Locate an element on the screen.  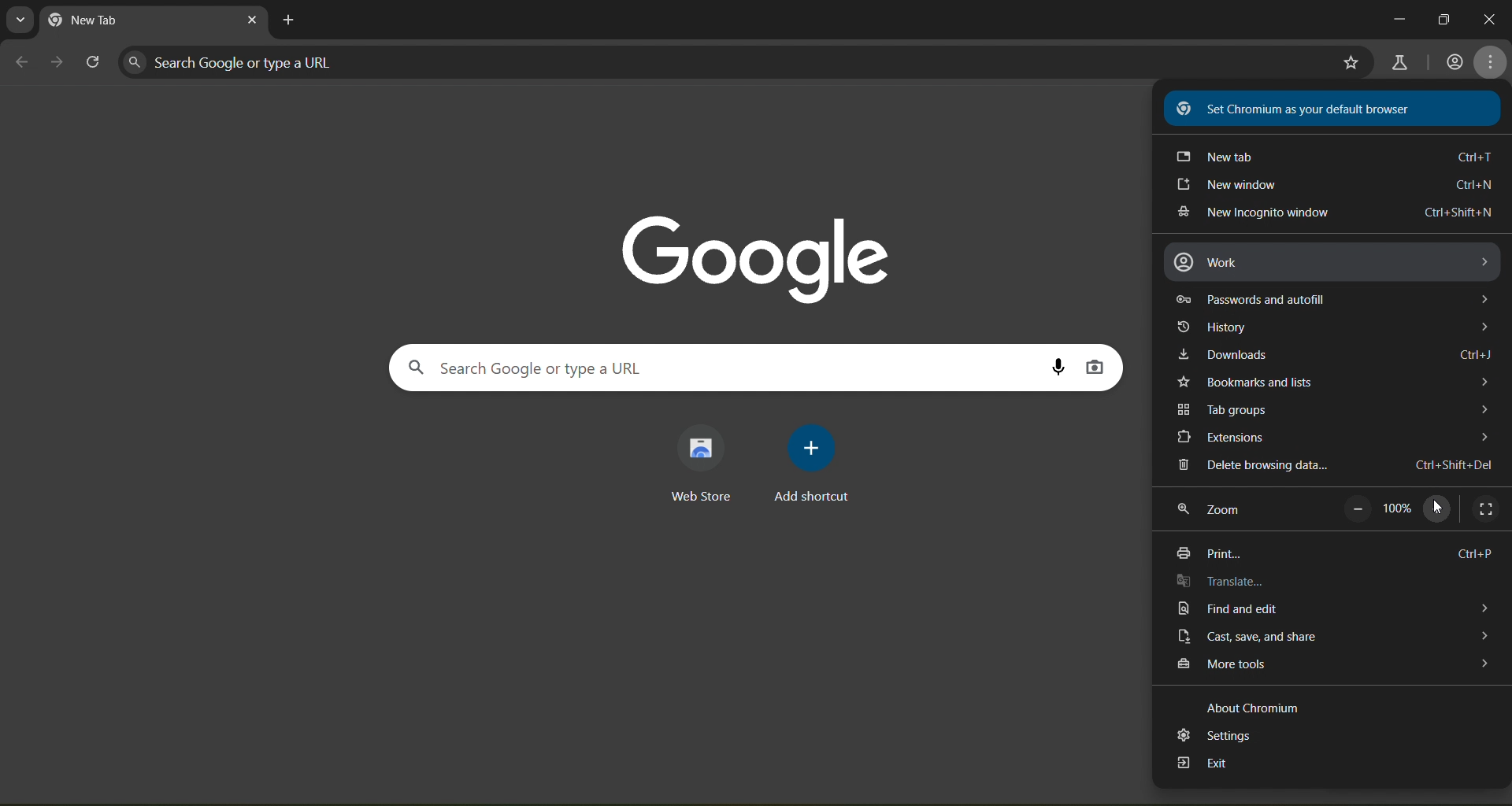
search panel is located at coordinates (240, 61).